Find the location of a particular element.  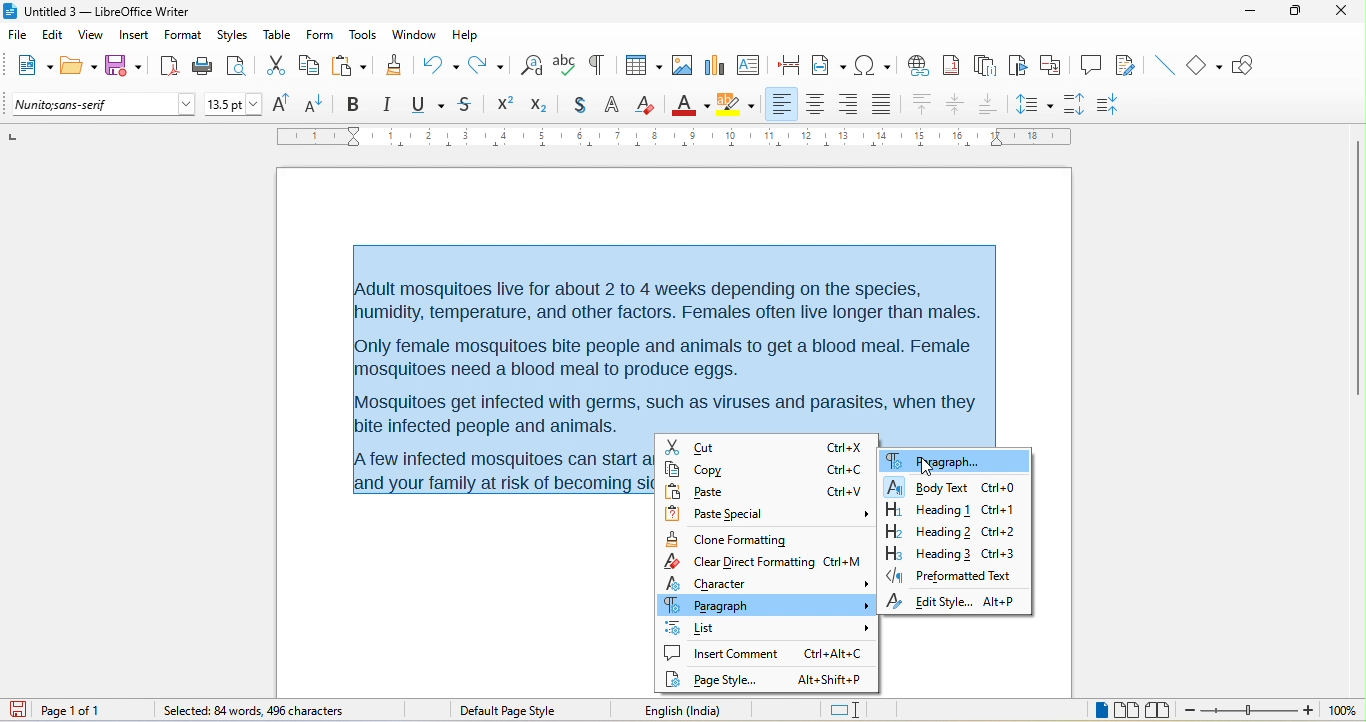

text is located at coordinates (681, 340).